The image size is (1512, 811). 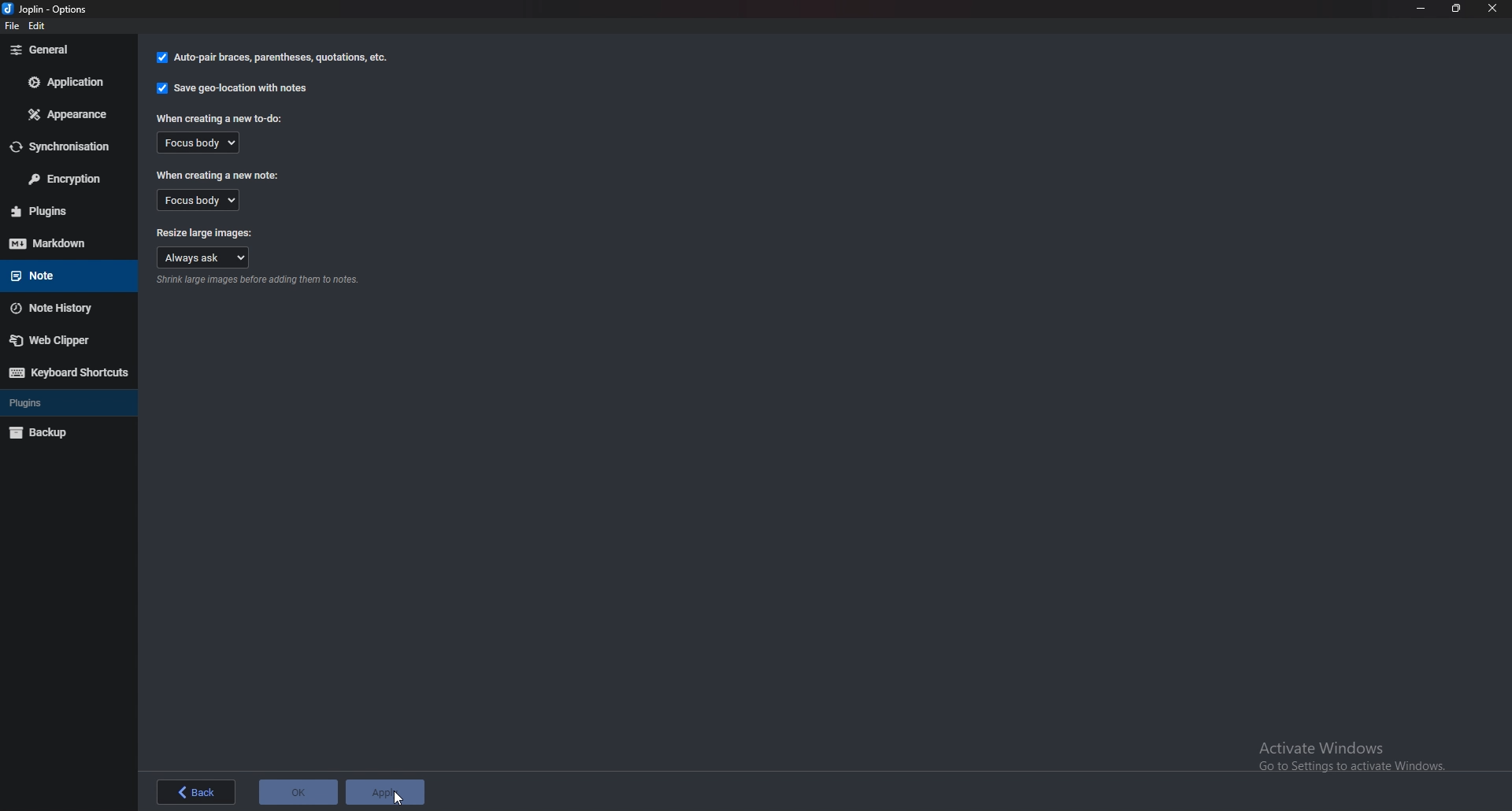 I want to click on General, so click(x=64, y=50).